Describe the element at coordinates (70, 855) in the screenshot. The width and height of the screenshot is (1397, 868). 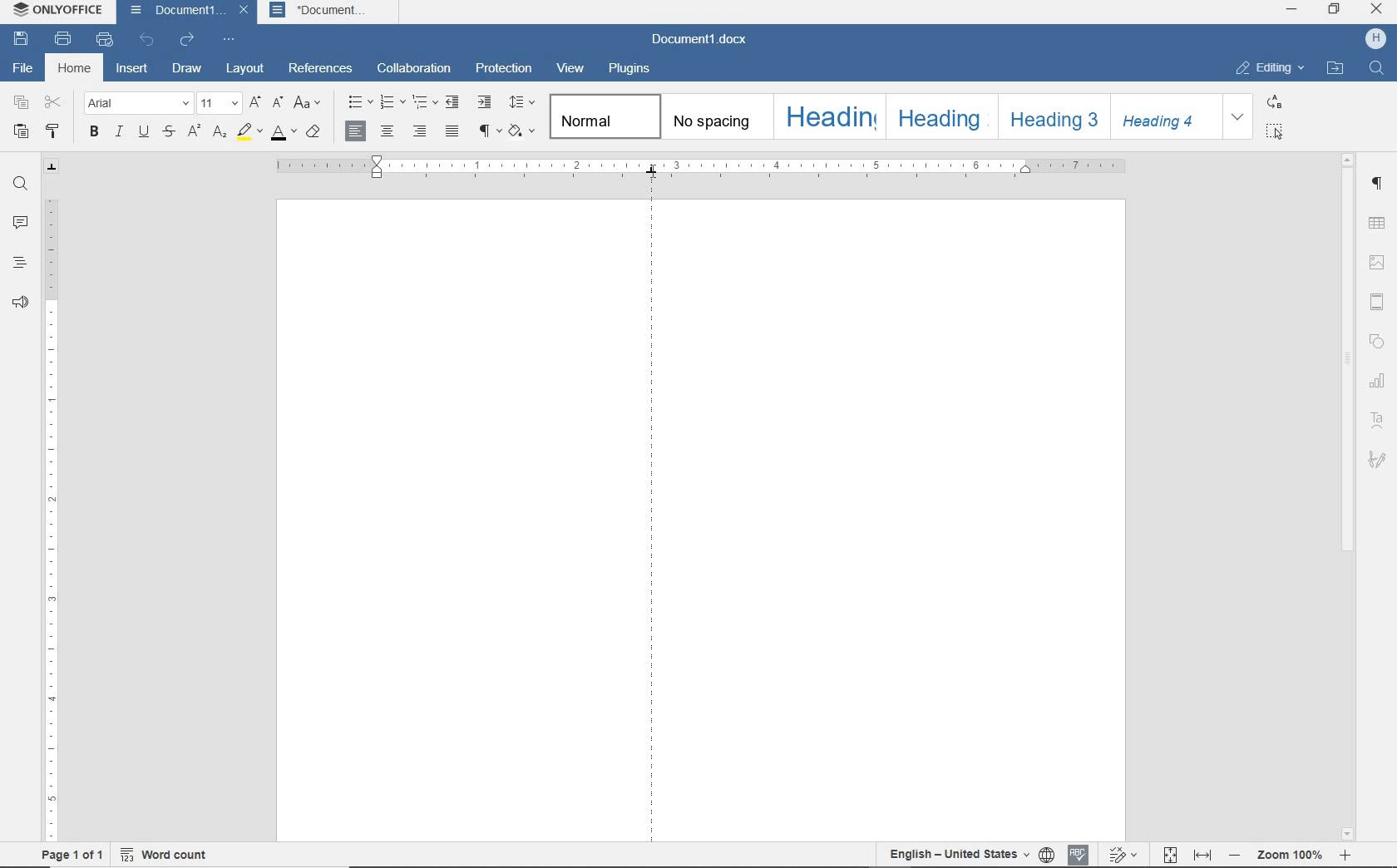
I see `page 1 of 1` at that location.